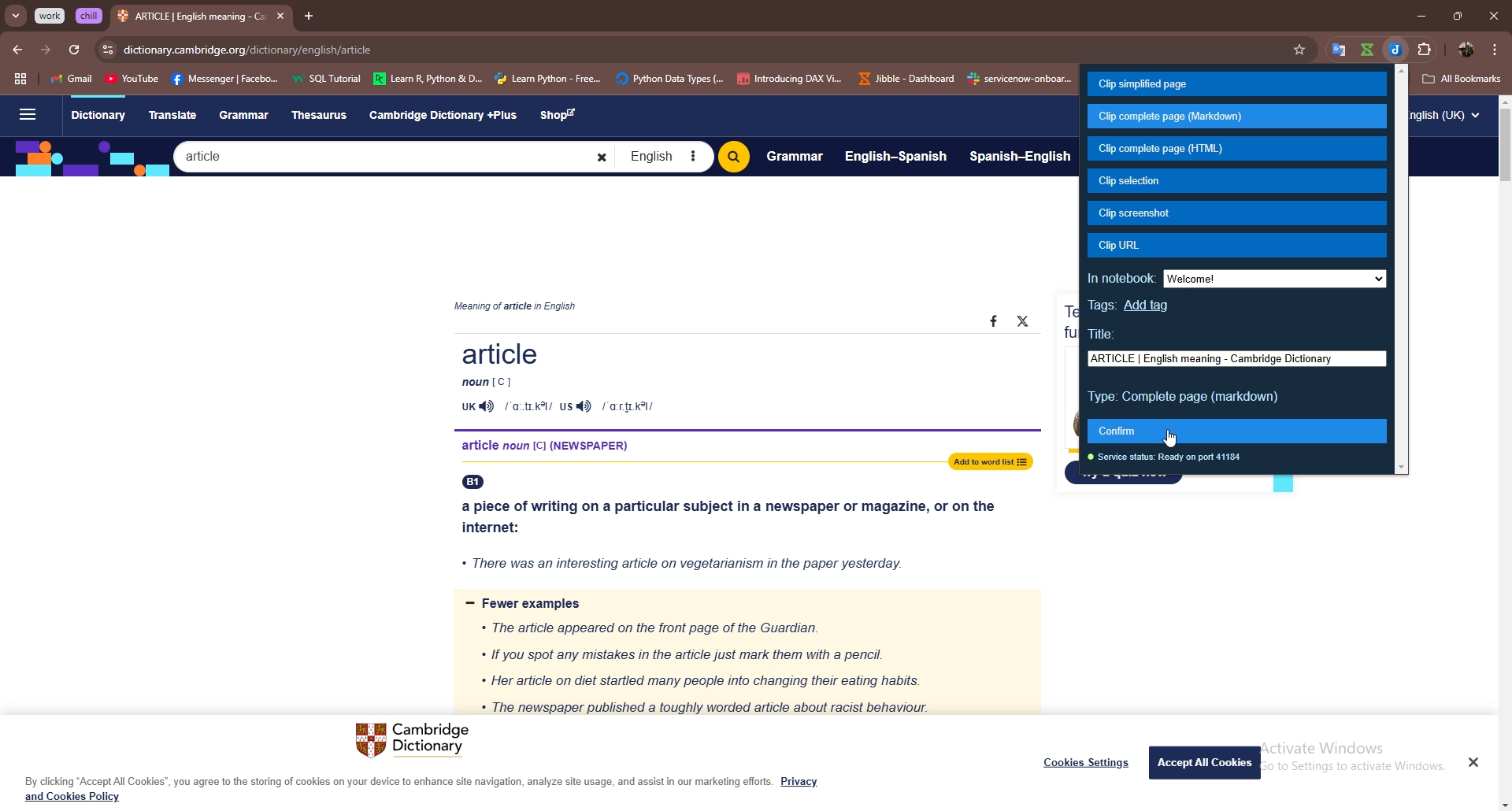 The width and height of the screenshot is (1512, 811). What do you see at coordinates (1102, 306) in the screenshot?
I see `tags` at bounding box center [1102, 306].